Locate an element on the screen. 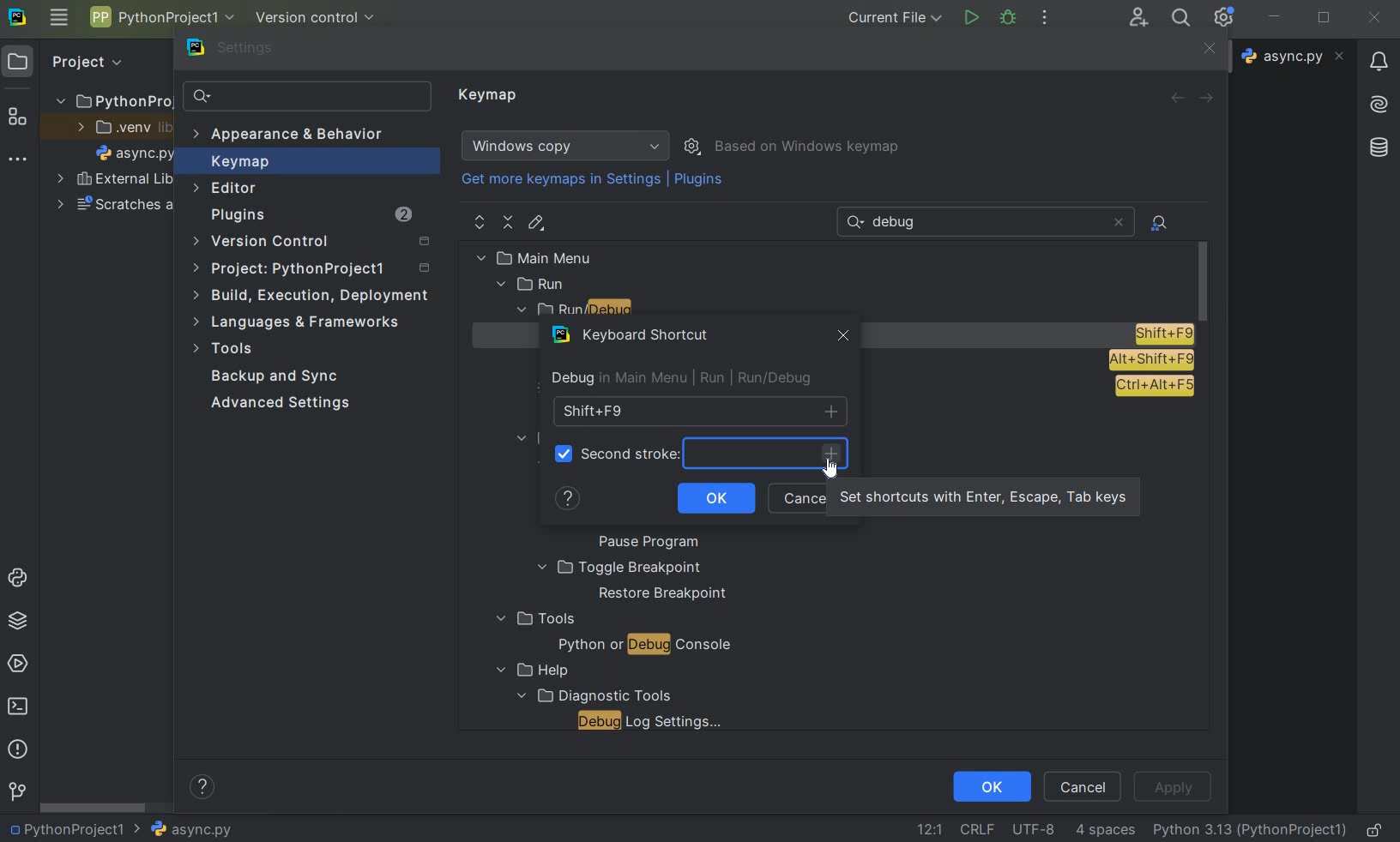 The image size is (1400, 842). keymap is located at coordinates (238, 164).